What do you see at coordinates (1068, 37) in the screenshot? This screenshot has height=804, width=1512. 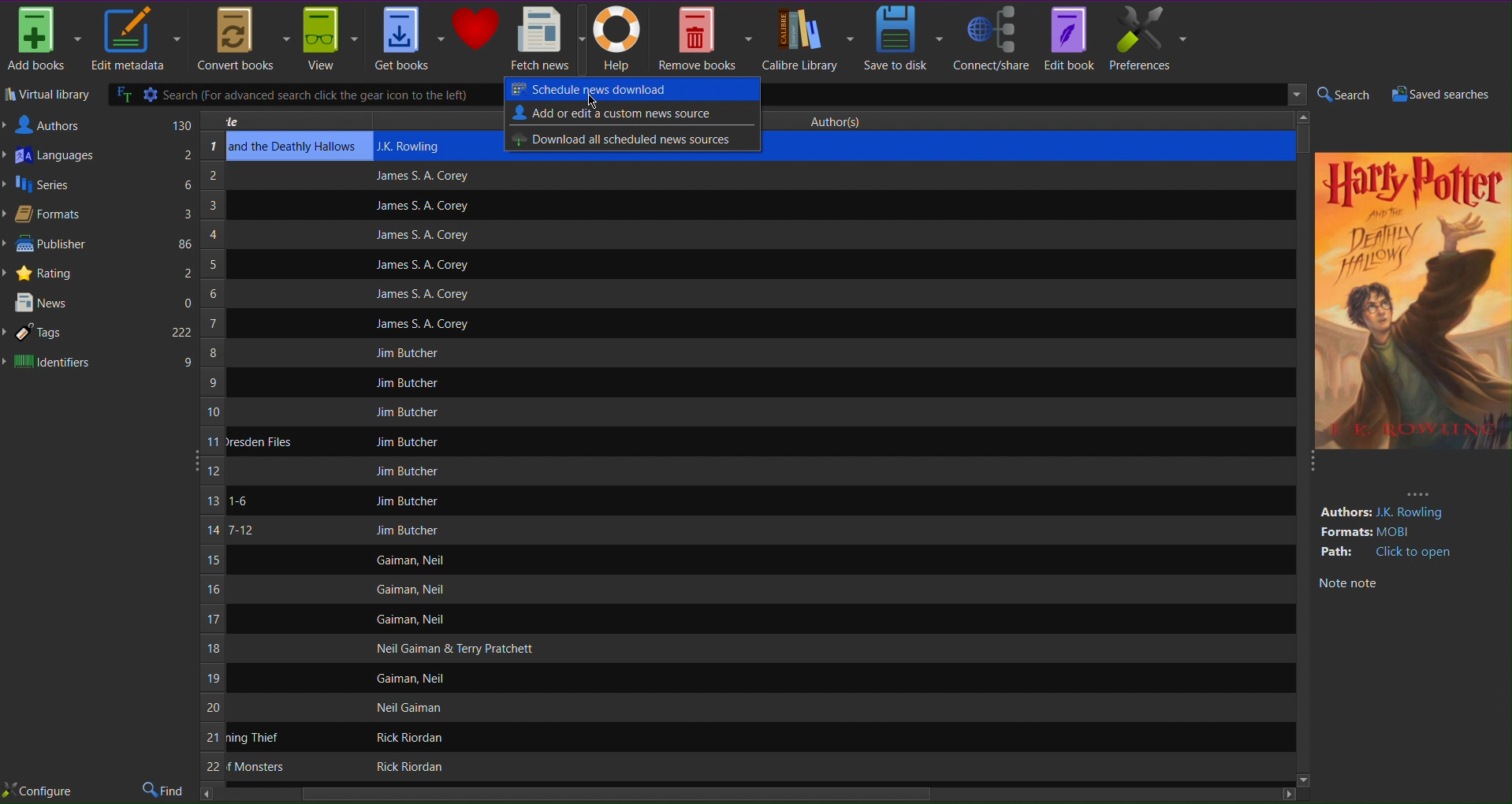 I see `Edit book` at bounding box center [1068, 37].